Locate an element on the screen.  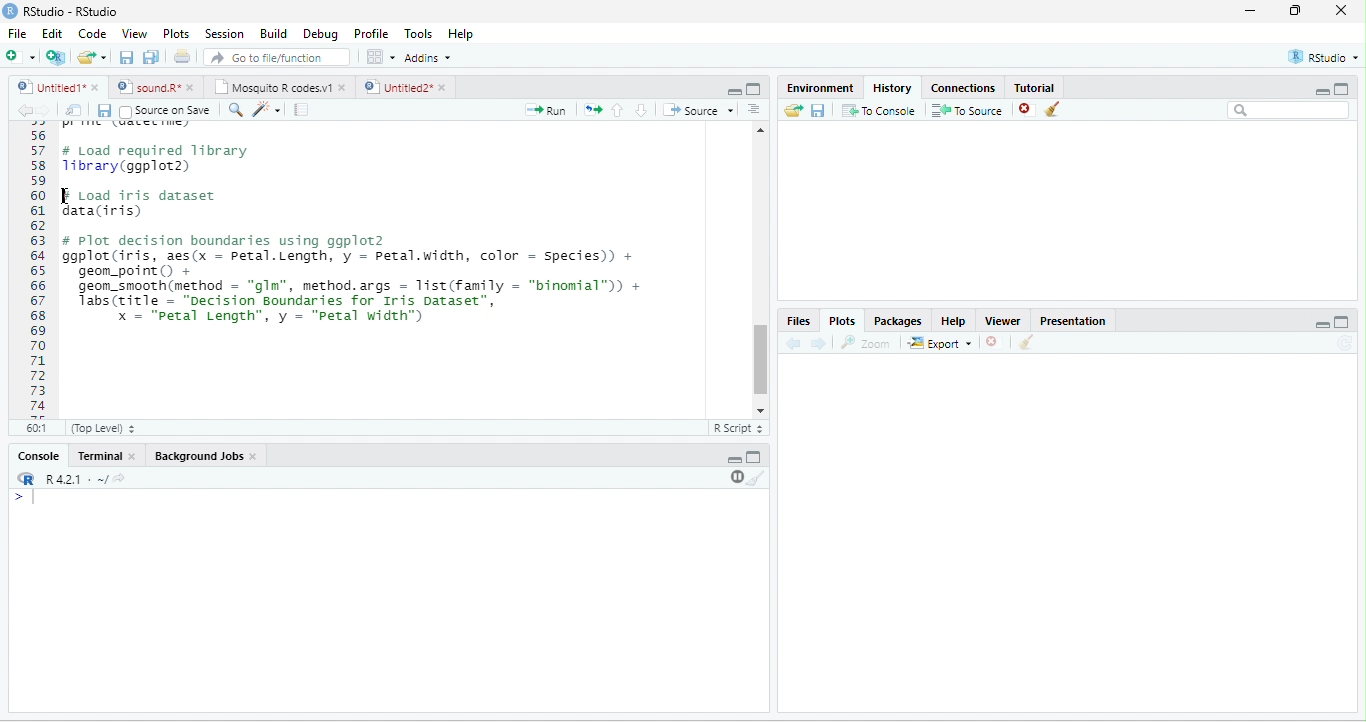
minimize is located at coordinates (1321, 92).